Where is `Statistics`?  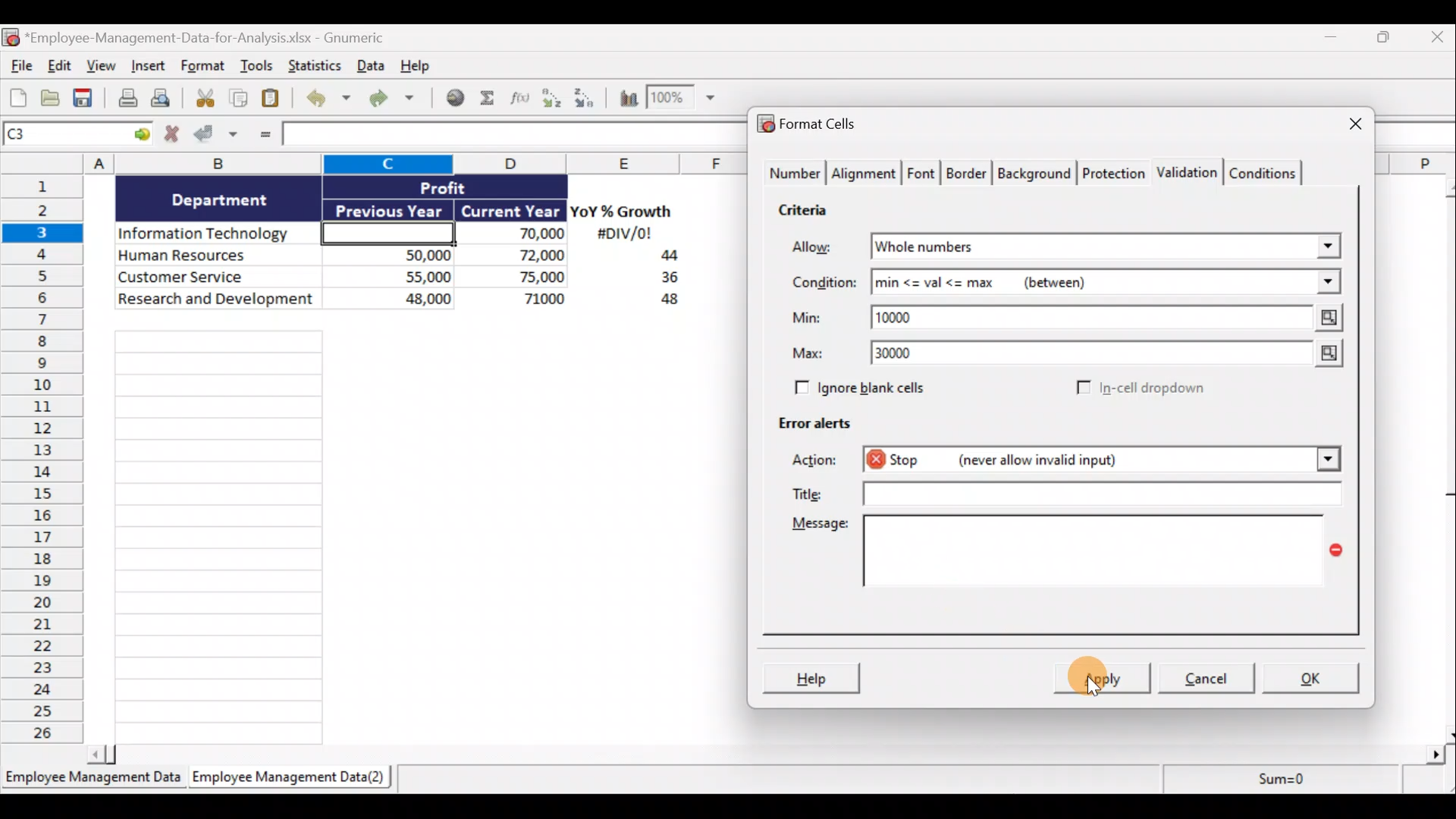
Statistics is located at coordinates (313, 65).